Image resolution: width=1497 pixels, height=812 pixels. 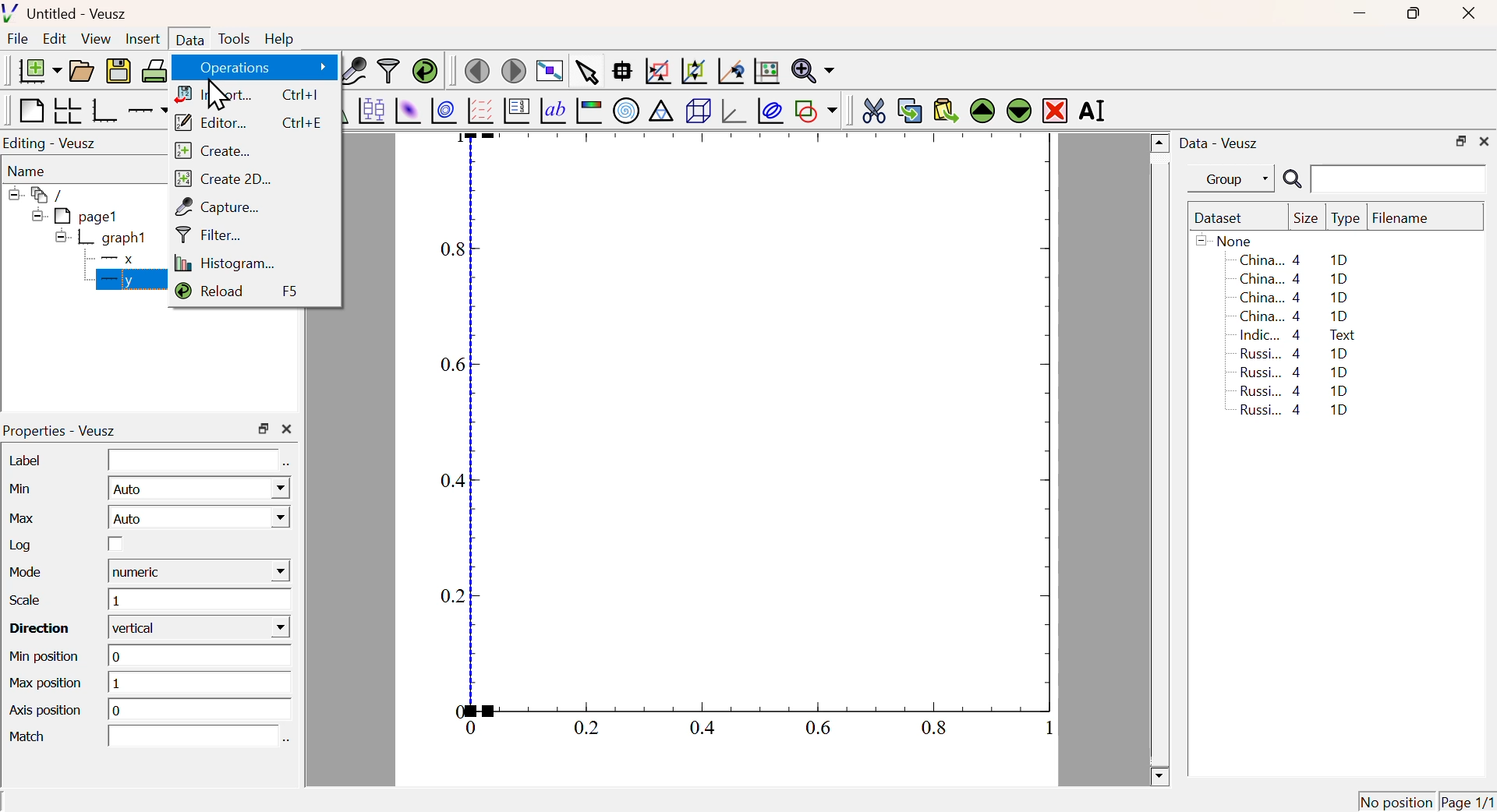 What do you see at coordinates (1297, 353) in the screenshot?
I see `Russi... 4 1D` at bounding box center [1297, 353].